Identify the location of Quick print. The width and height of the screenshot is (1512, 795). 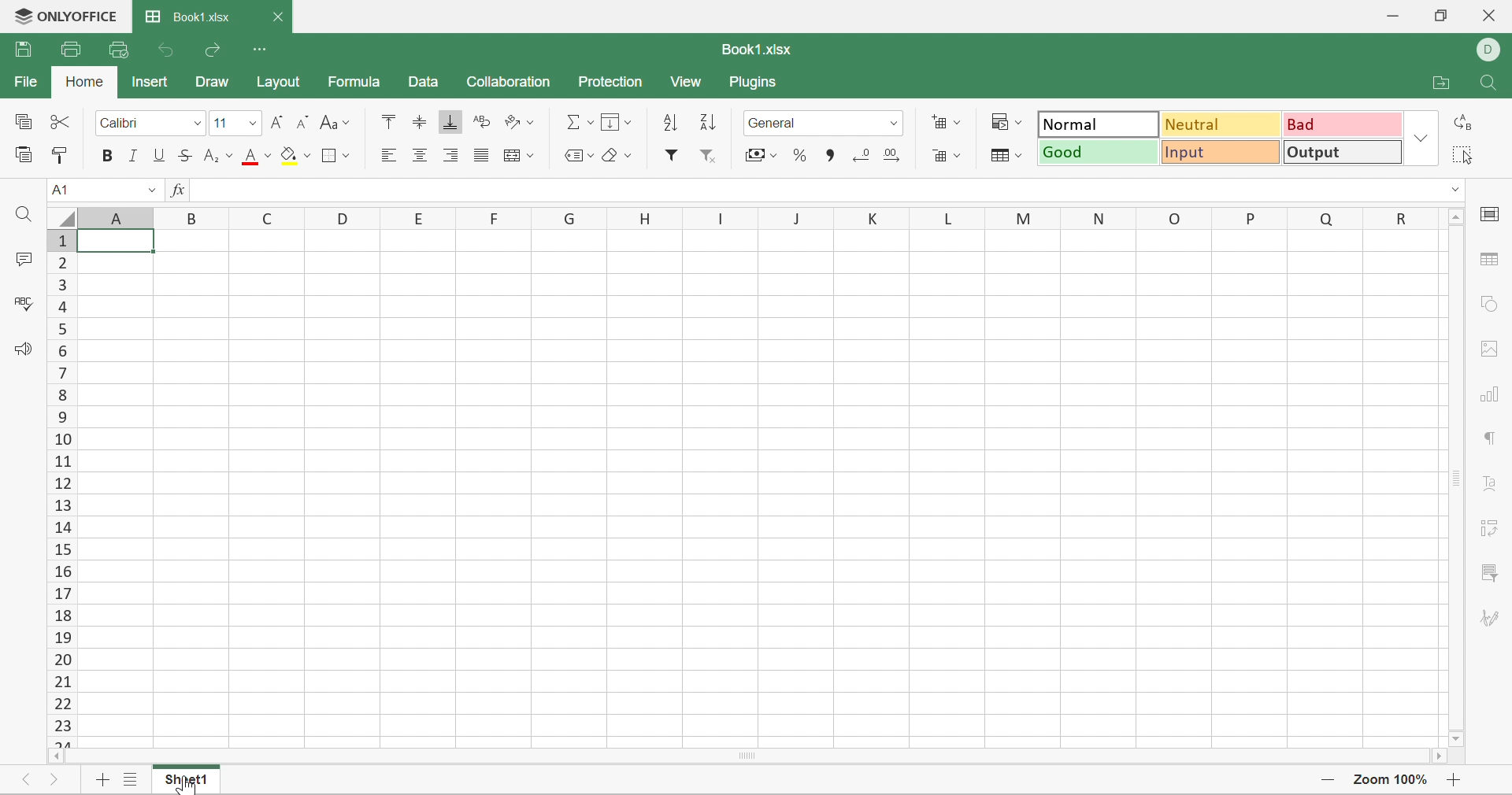
(119, 50).